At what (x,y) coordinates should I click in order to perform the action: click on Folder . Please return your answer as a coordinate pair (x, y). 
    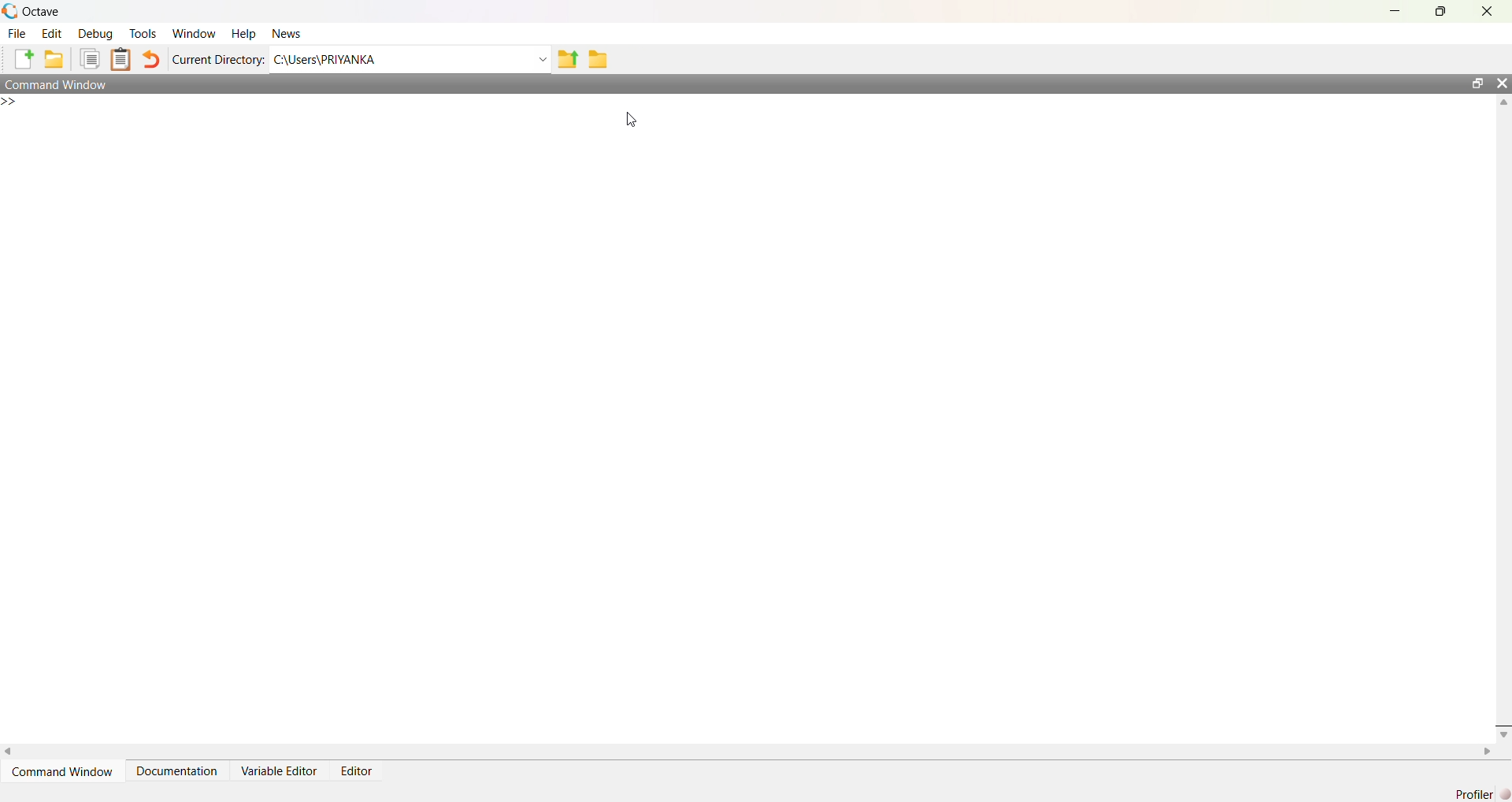
    Looking at the image, I should click on (54, 60).